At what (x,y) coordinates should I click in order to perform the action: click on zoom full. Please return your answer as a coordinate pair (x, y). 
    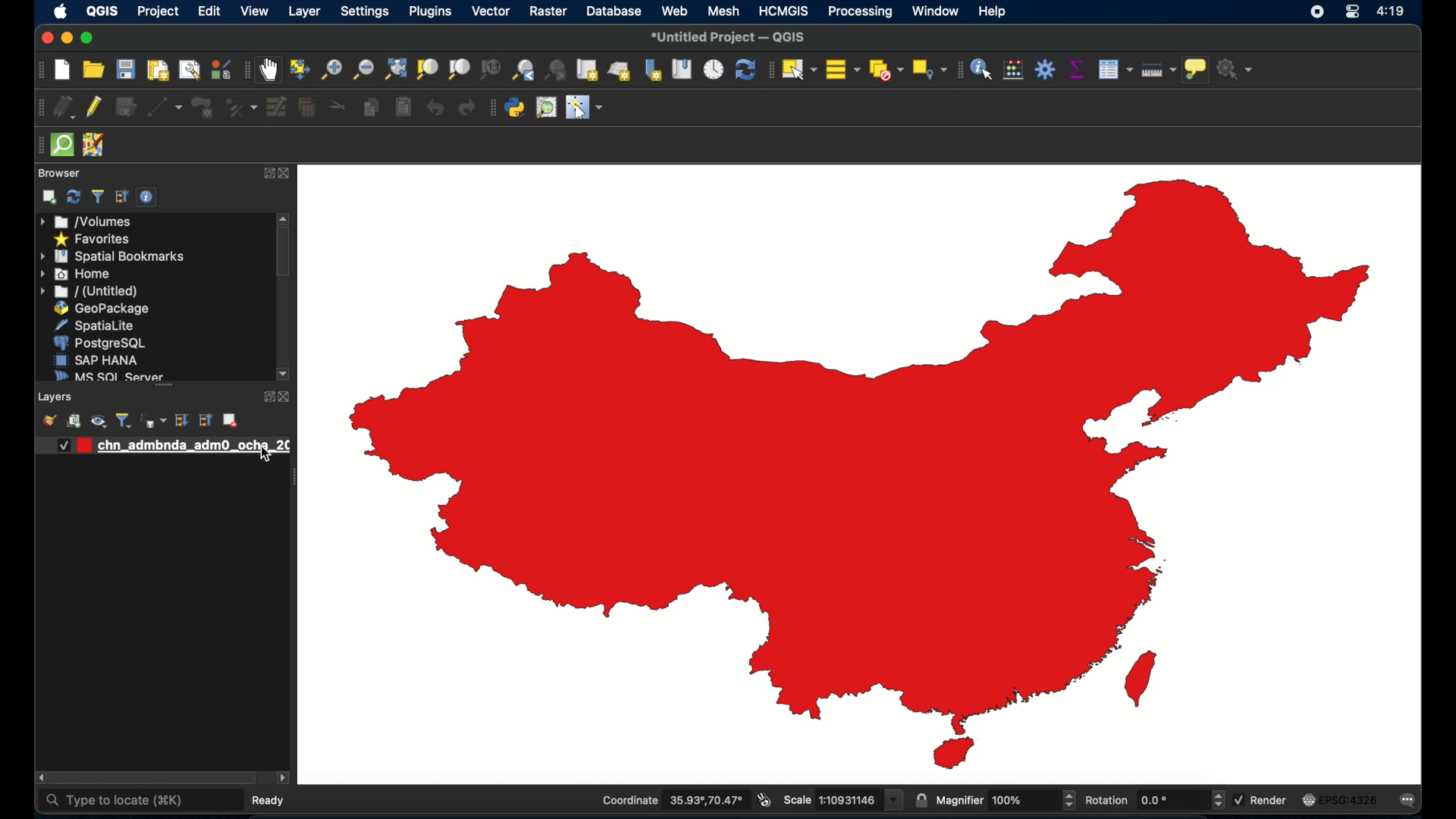
    Looking at the image, I should click on (393, 69).